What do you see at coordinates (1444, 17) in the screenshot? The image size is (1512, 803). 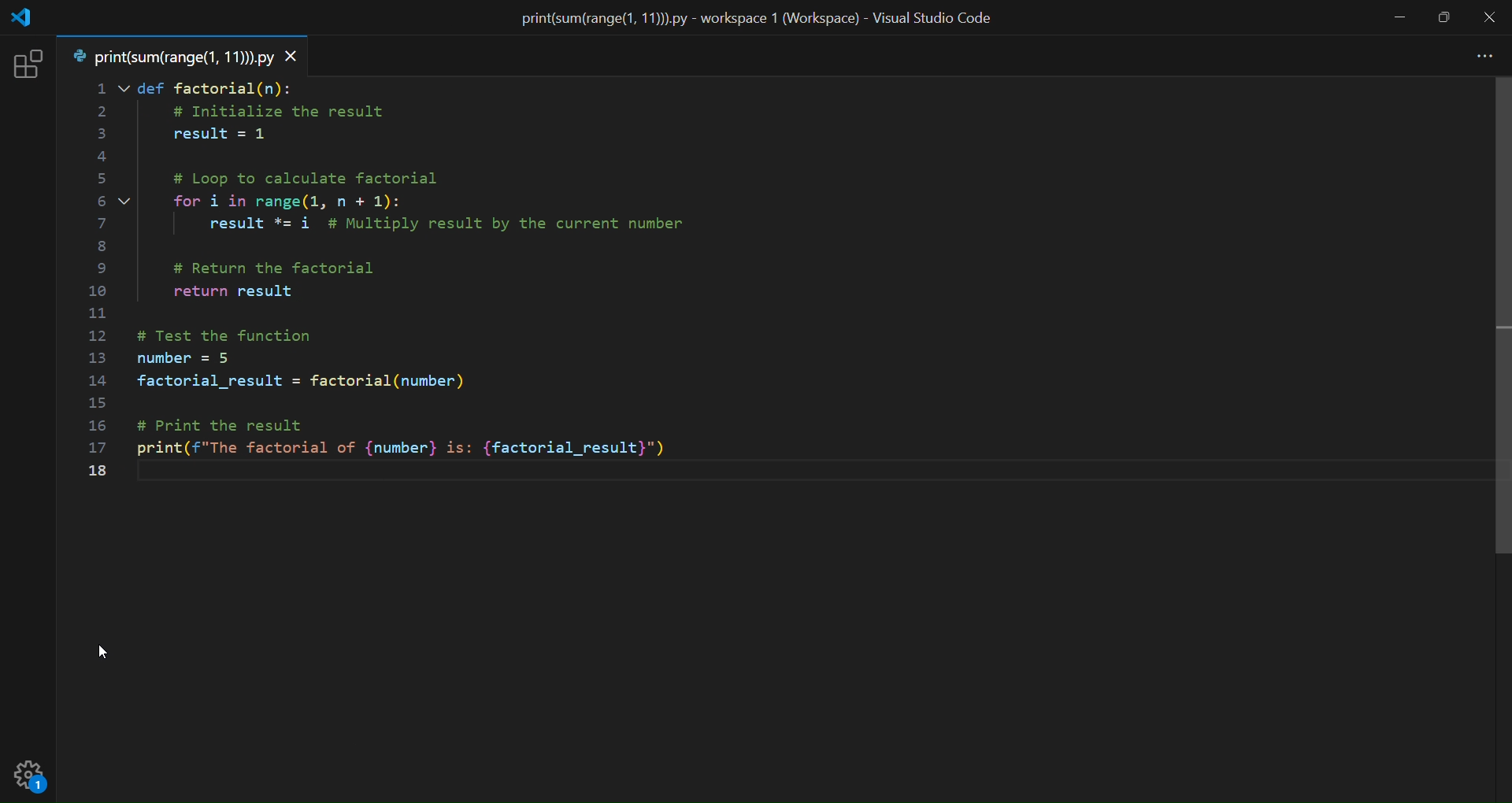 I see `maximize` at bounding box center [1444, 17].